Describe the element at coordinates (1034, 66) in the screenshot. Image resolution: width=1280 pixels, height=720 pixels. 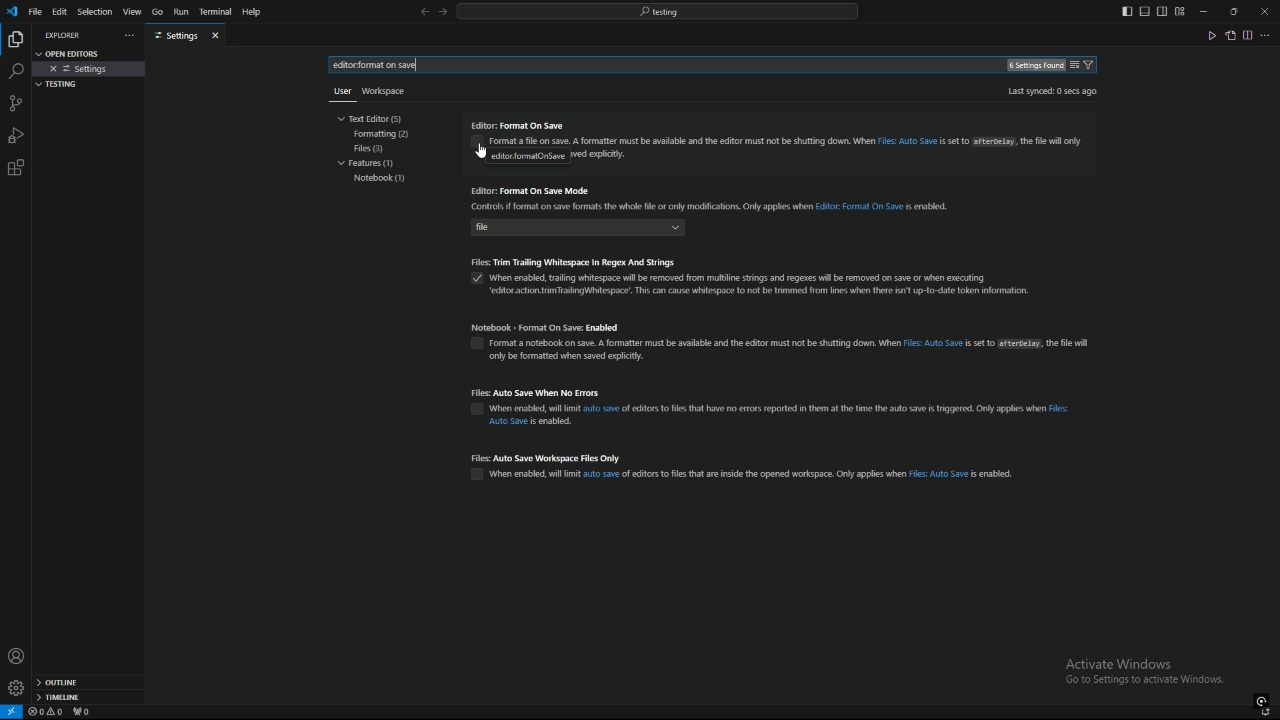
I see `settings found` at that location.